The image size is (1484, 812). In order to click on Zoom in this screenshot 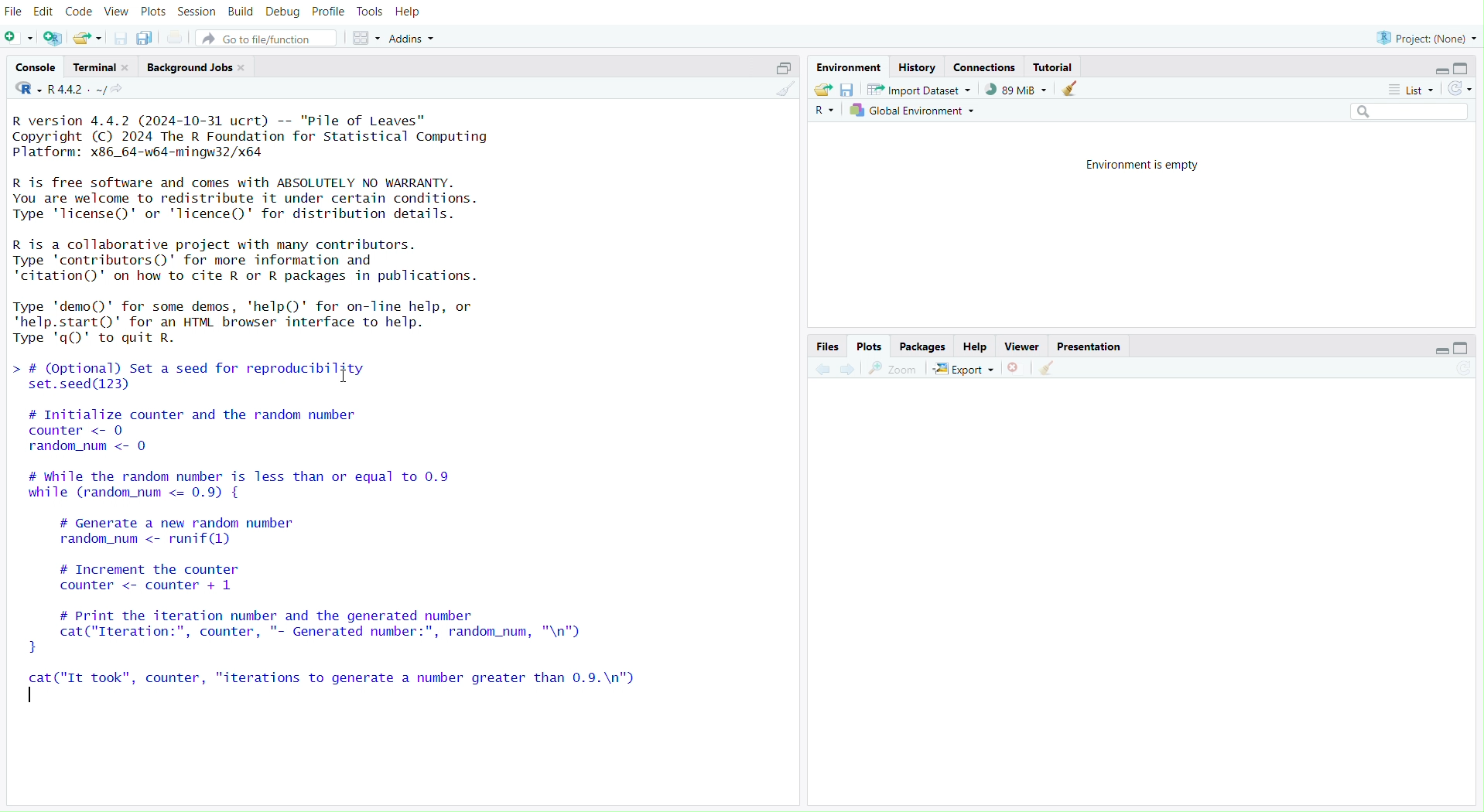, I will do `click(898, 367)`.